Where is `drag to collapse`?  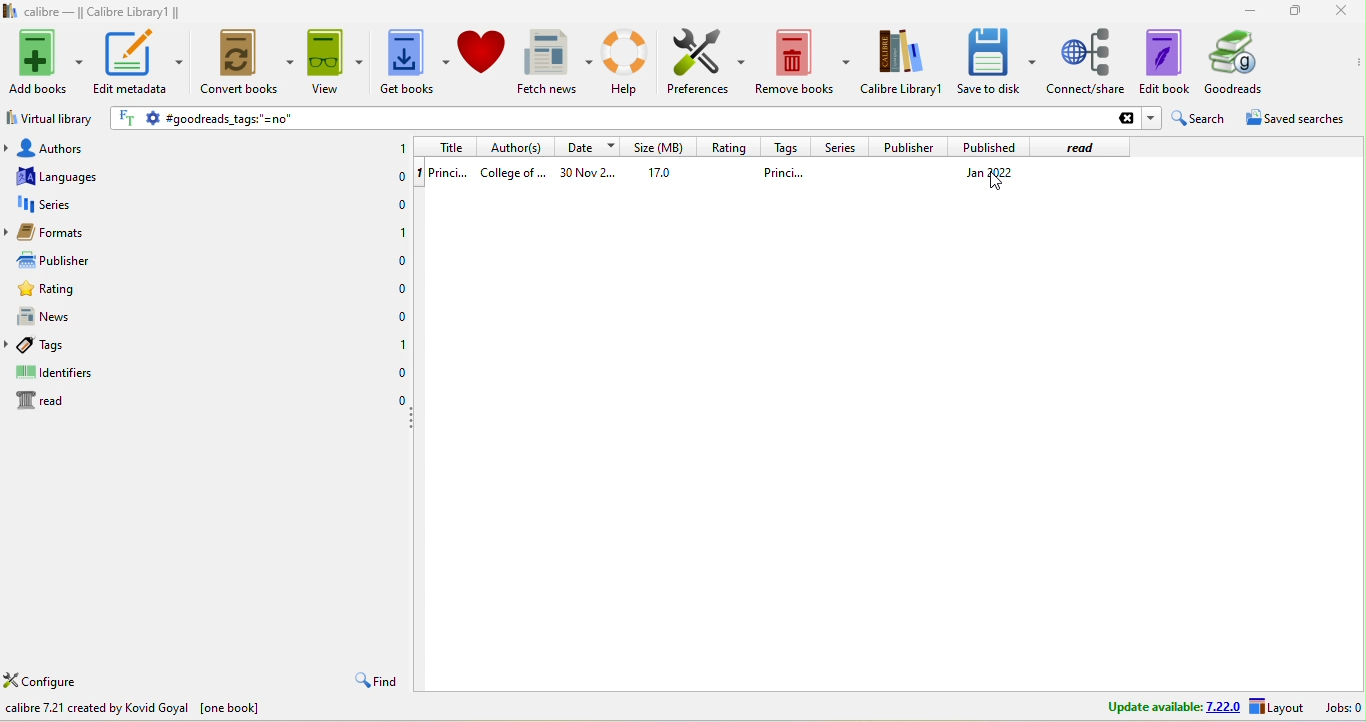
drag to collapse is located at coordinates (413, 419).